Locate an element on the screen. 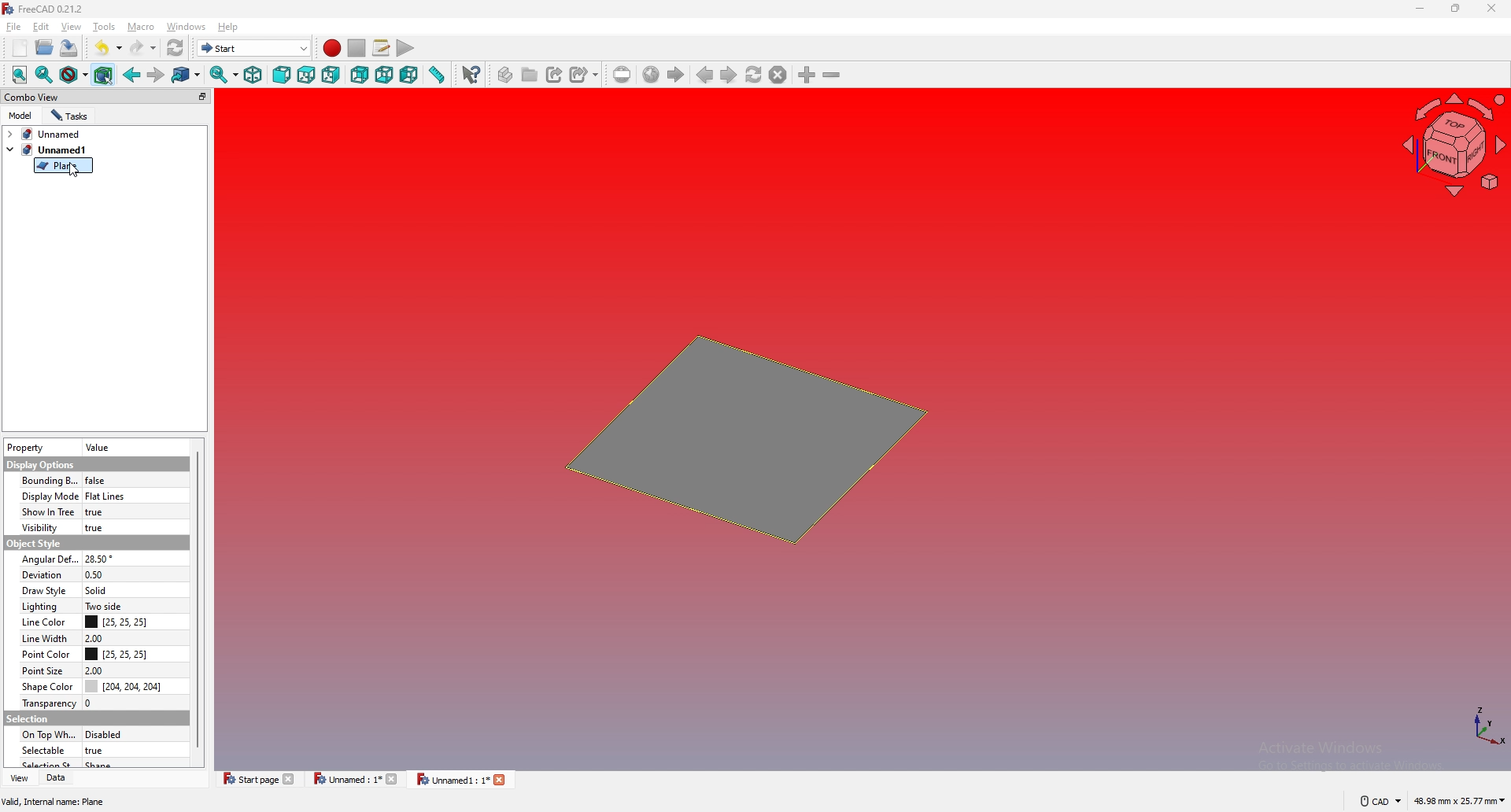  undo is located at coordinates (109, 46).